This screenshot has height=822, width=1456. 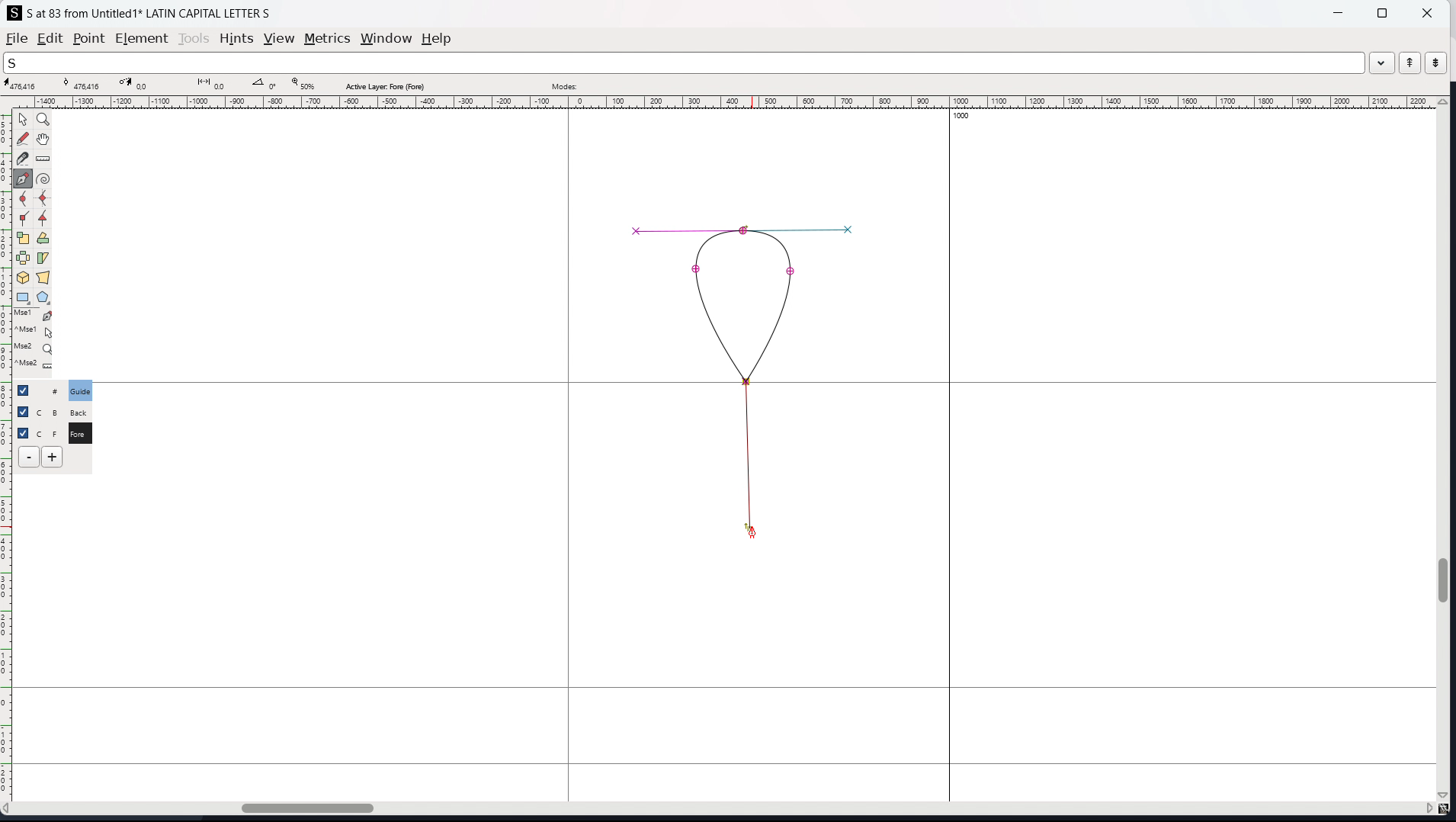 I want to click on delete layer, so click(x=29, y=458).